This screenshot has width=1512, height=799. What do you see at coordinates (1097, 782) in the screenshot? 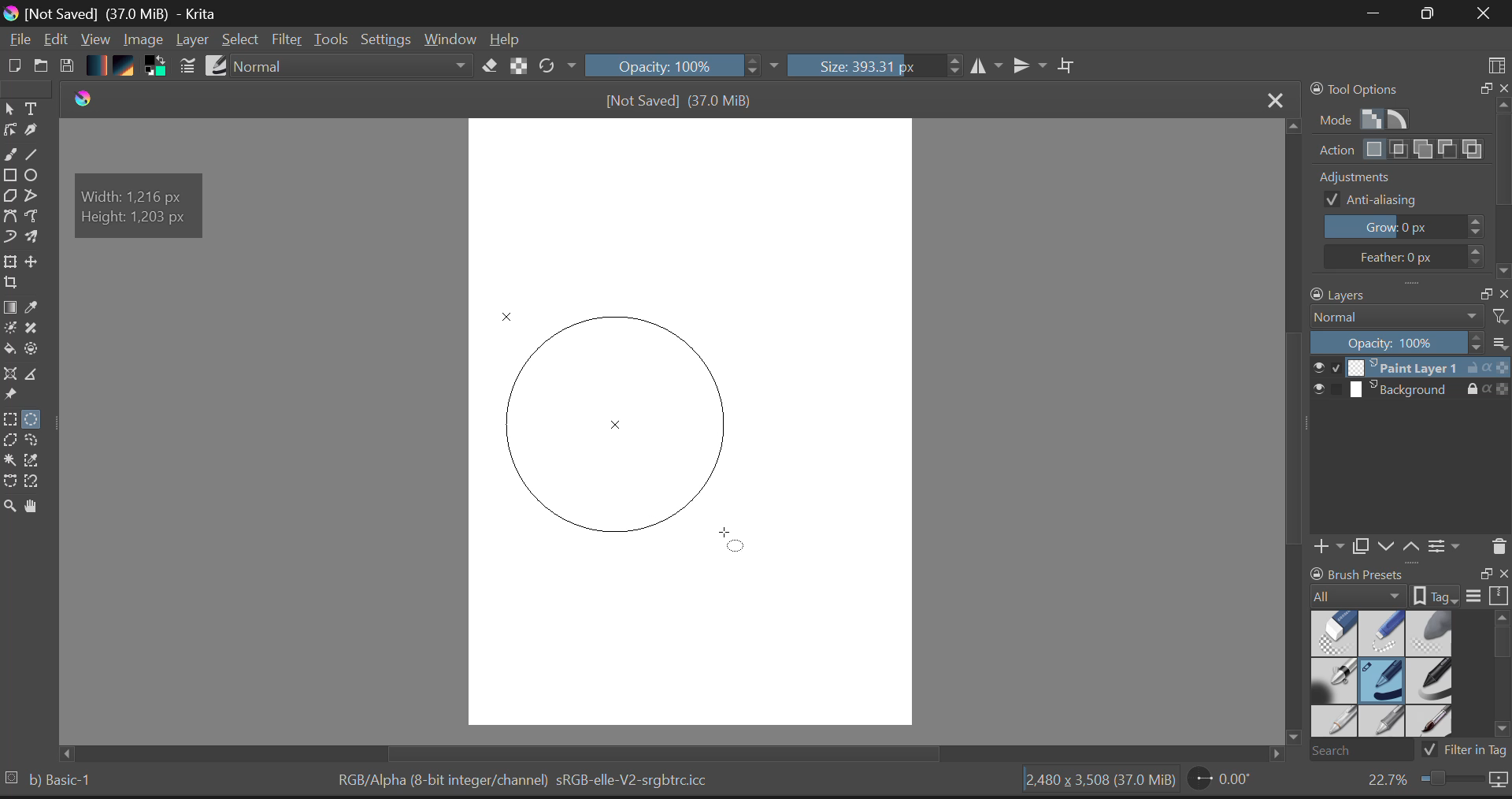
I see `Document Dimensions` at bounding box center [1097, 782].